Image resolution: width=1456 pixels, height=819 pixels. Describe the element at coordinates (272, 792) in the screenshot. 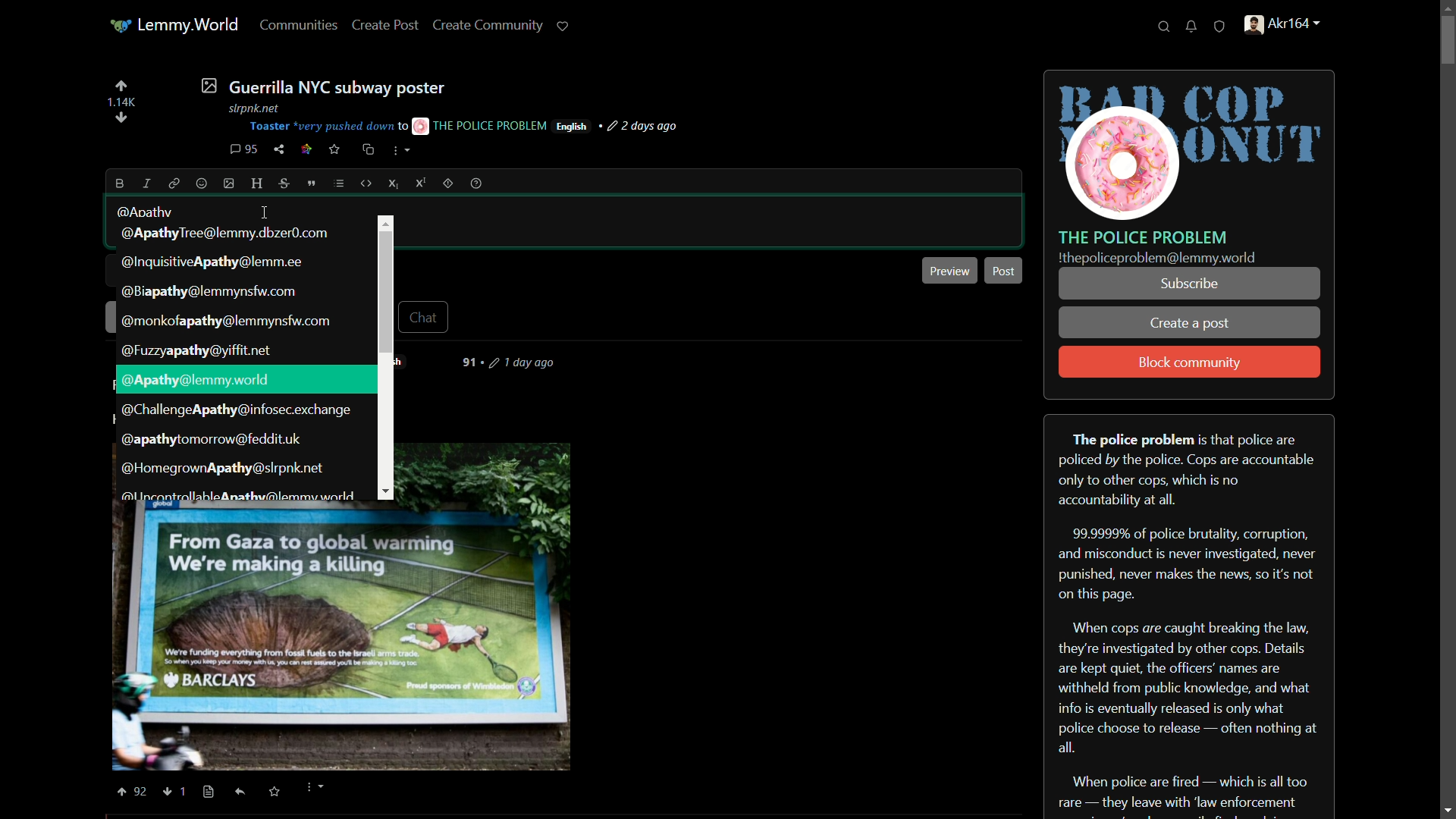

I see `saved` at that location.